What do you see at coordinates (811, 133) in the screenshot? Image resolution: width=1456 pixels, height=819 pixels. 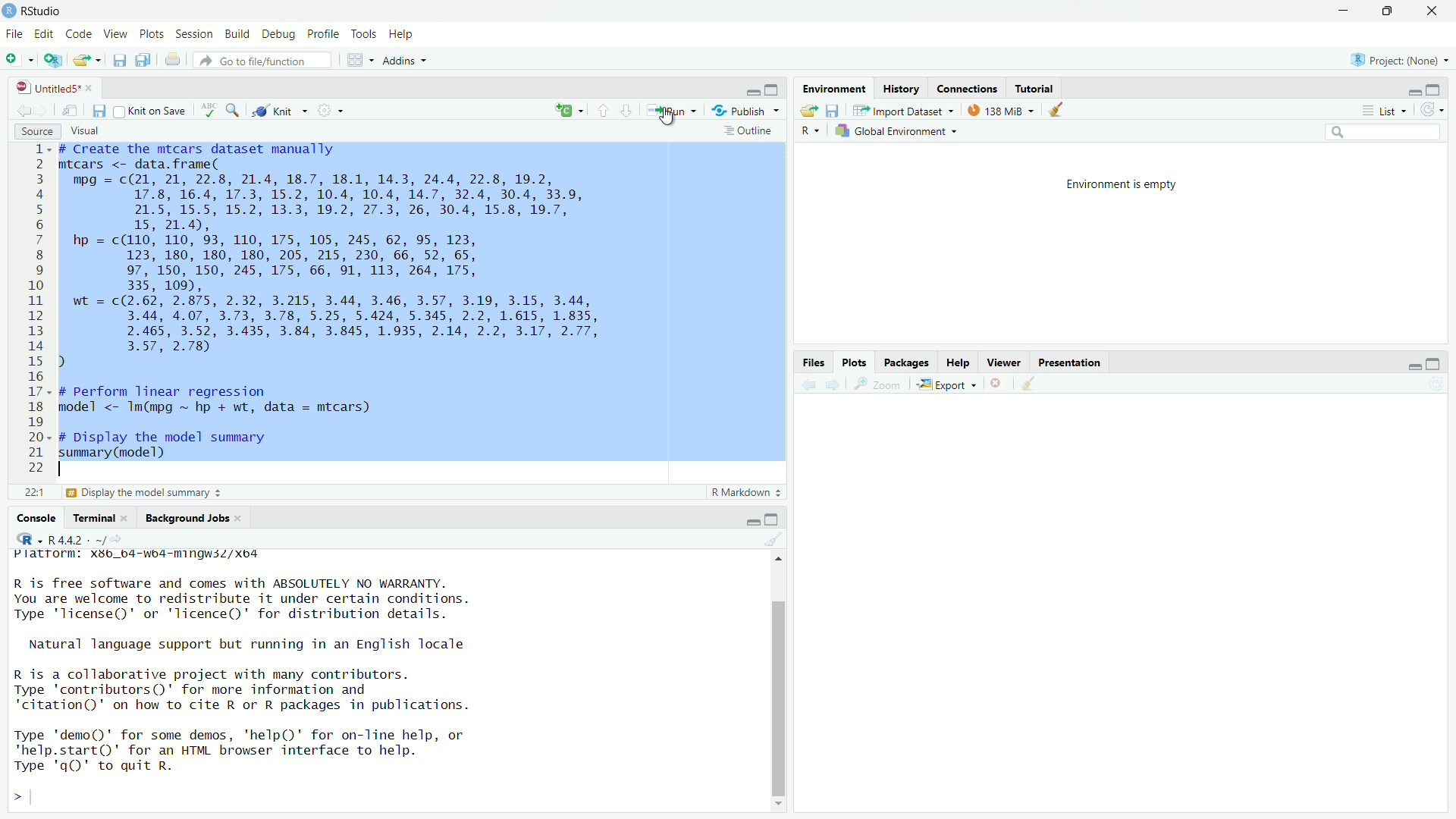 I see `R` at bounding box center [811, 133].